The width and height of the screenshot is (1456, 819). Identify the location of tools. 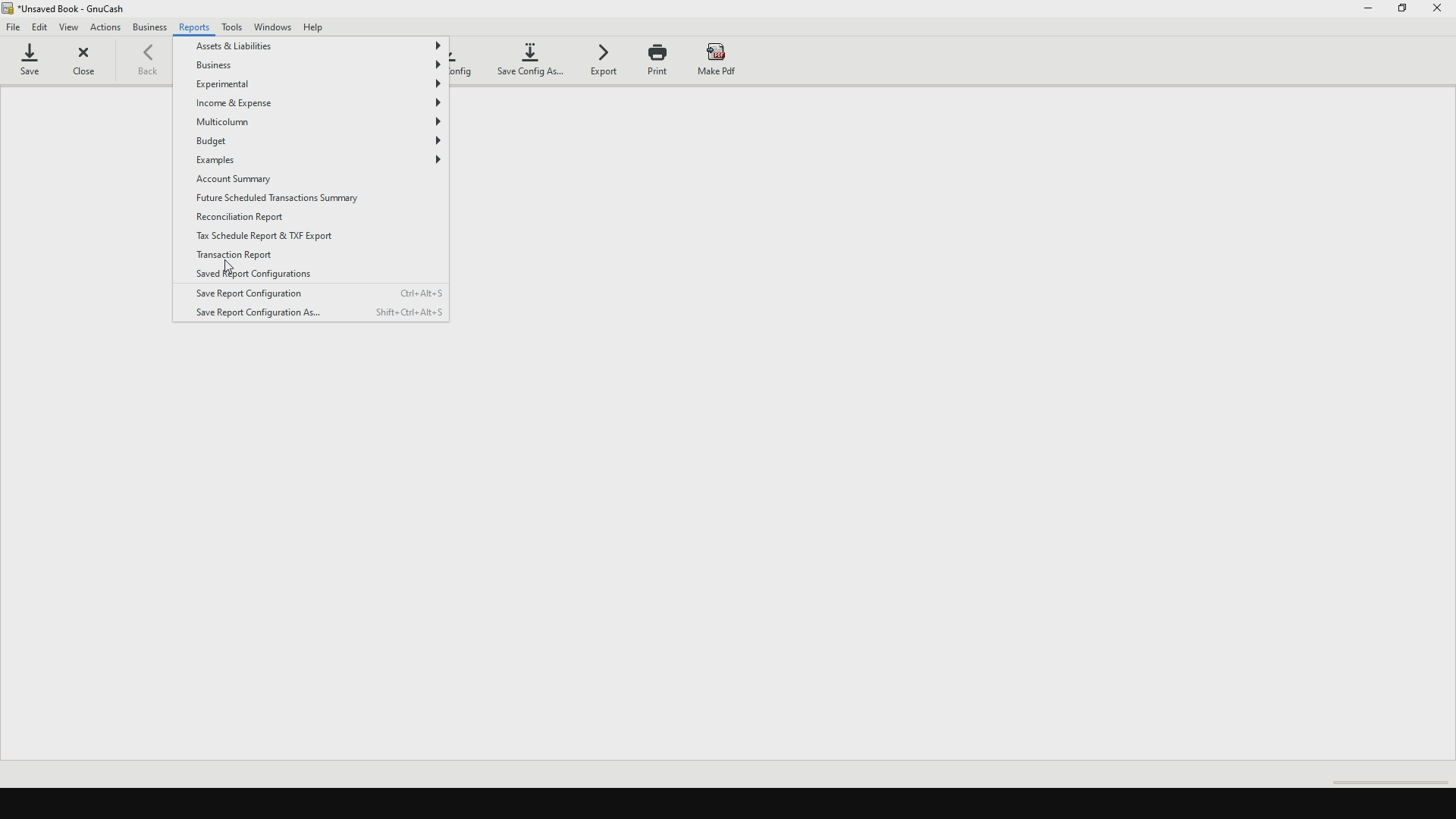
(234, 27).